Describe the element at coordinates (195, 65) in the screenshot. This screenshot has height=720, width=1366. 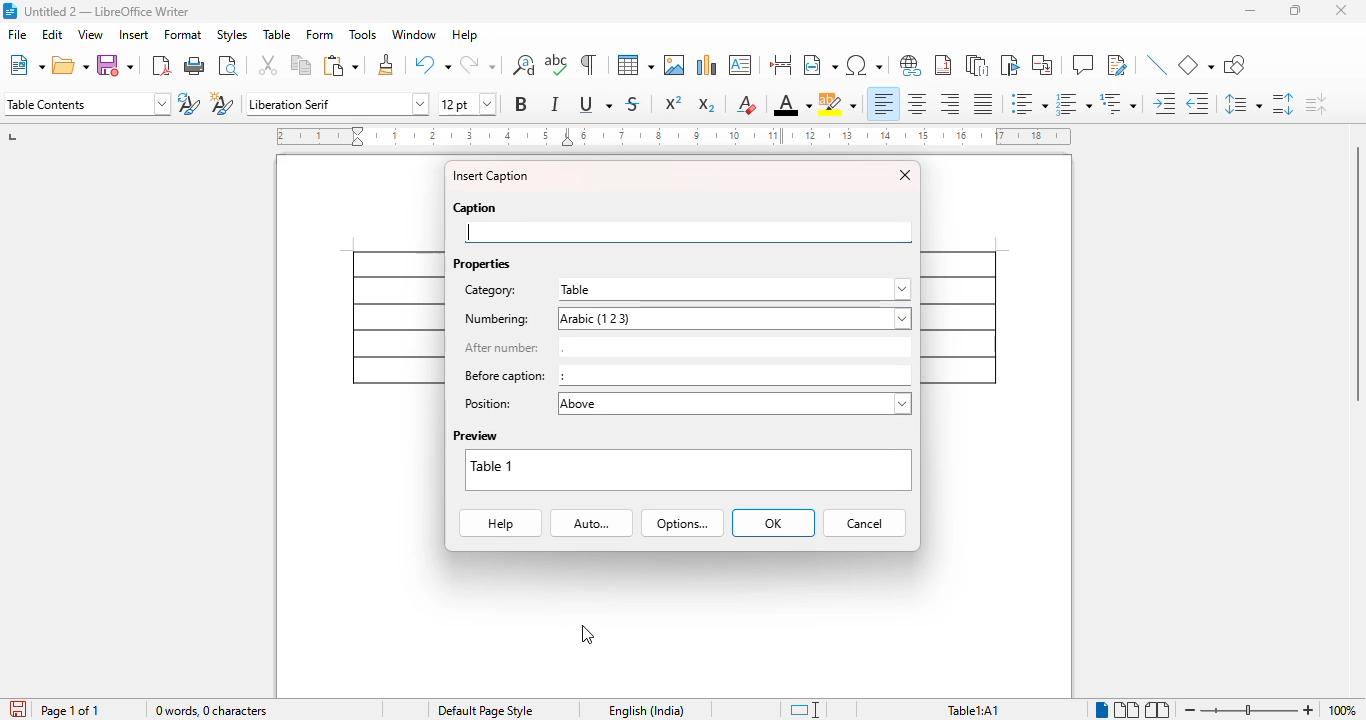
I see `print` at that location.